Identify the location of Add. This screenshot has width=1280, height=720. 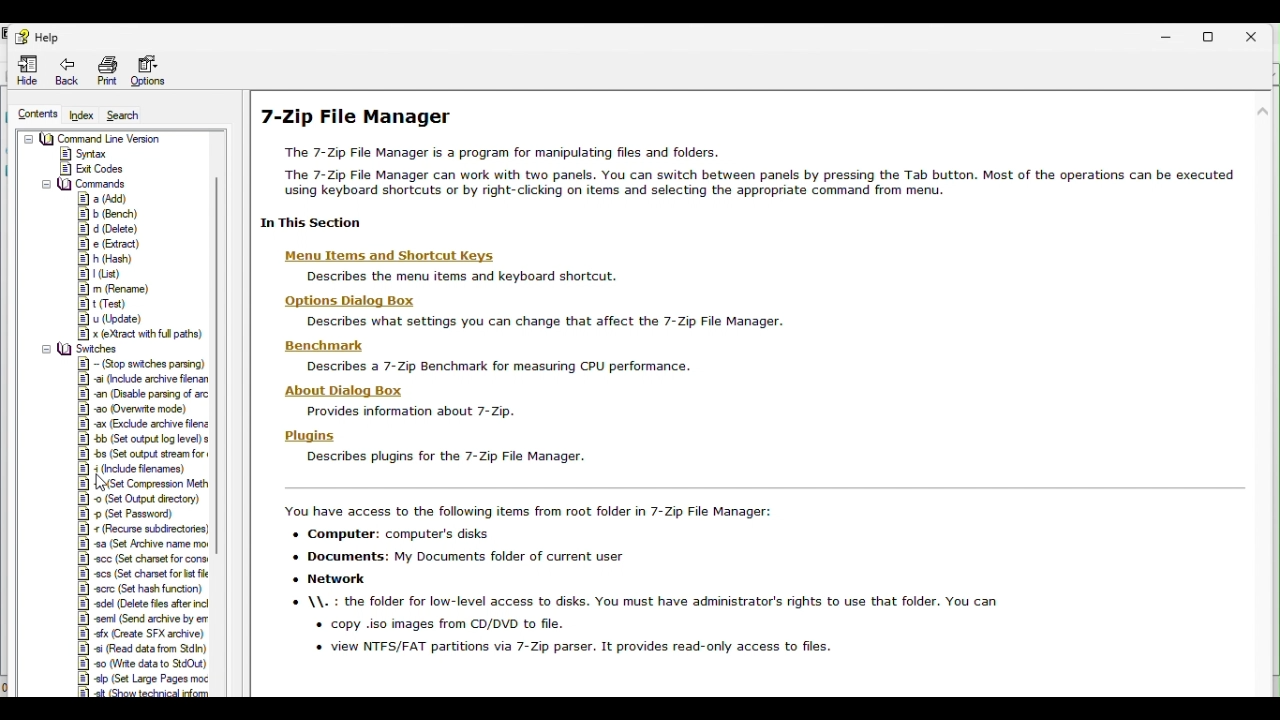
(106, 199).